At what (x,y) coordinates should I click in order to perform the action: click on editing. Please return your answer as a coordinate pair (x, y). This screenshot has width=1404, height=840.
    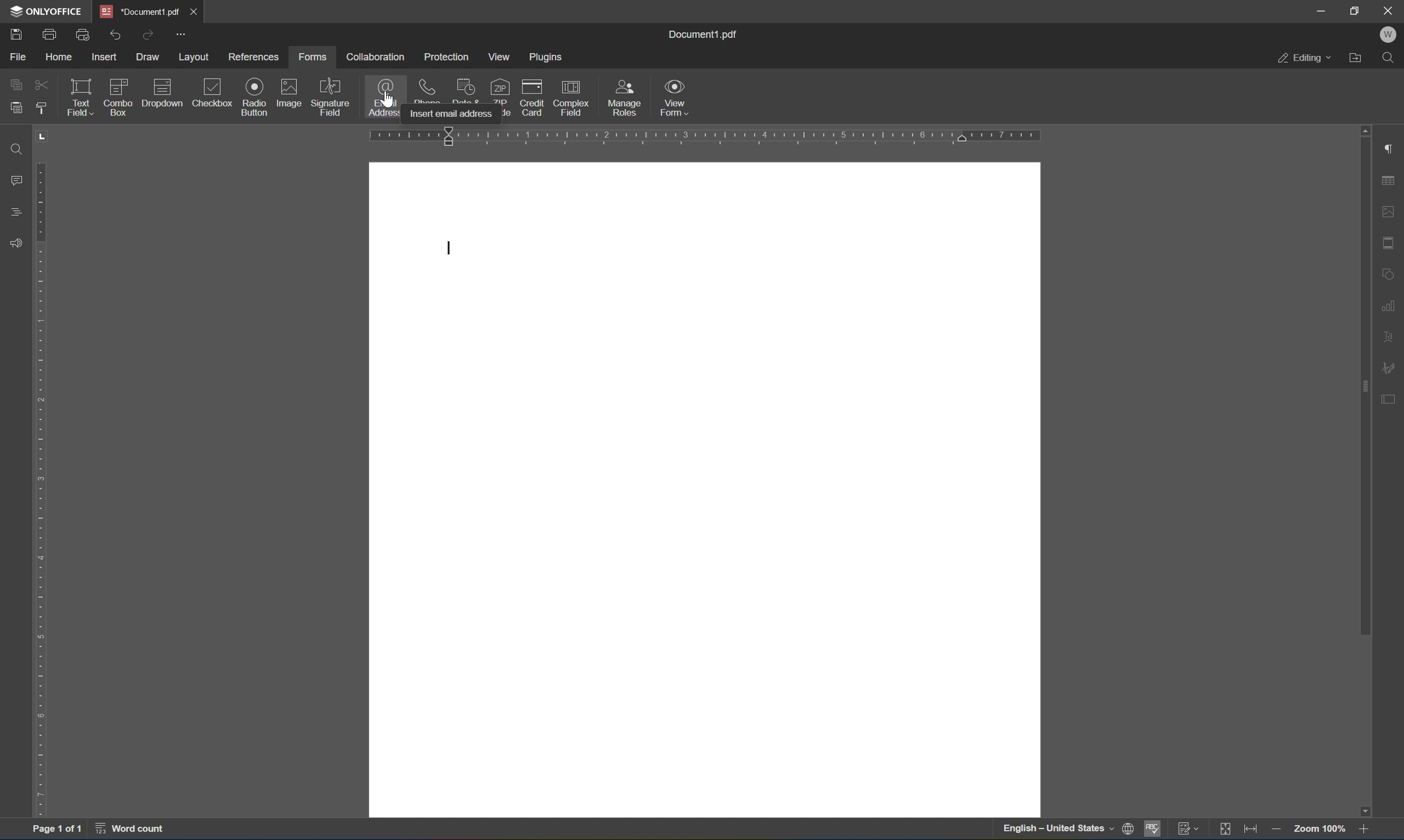
    Looking at the image, I should click on (1303, 58).